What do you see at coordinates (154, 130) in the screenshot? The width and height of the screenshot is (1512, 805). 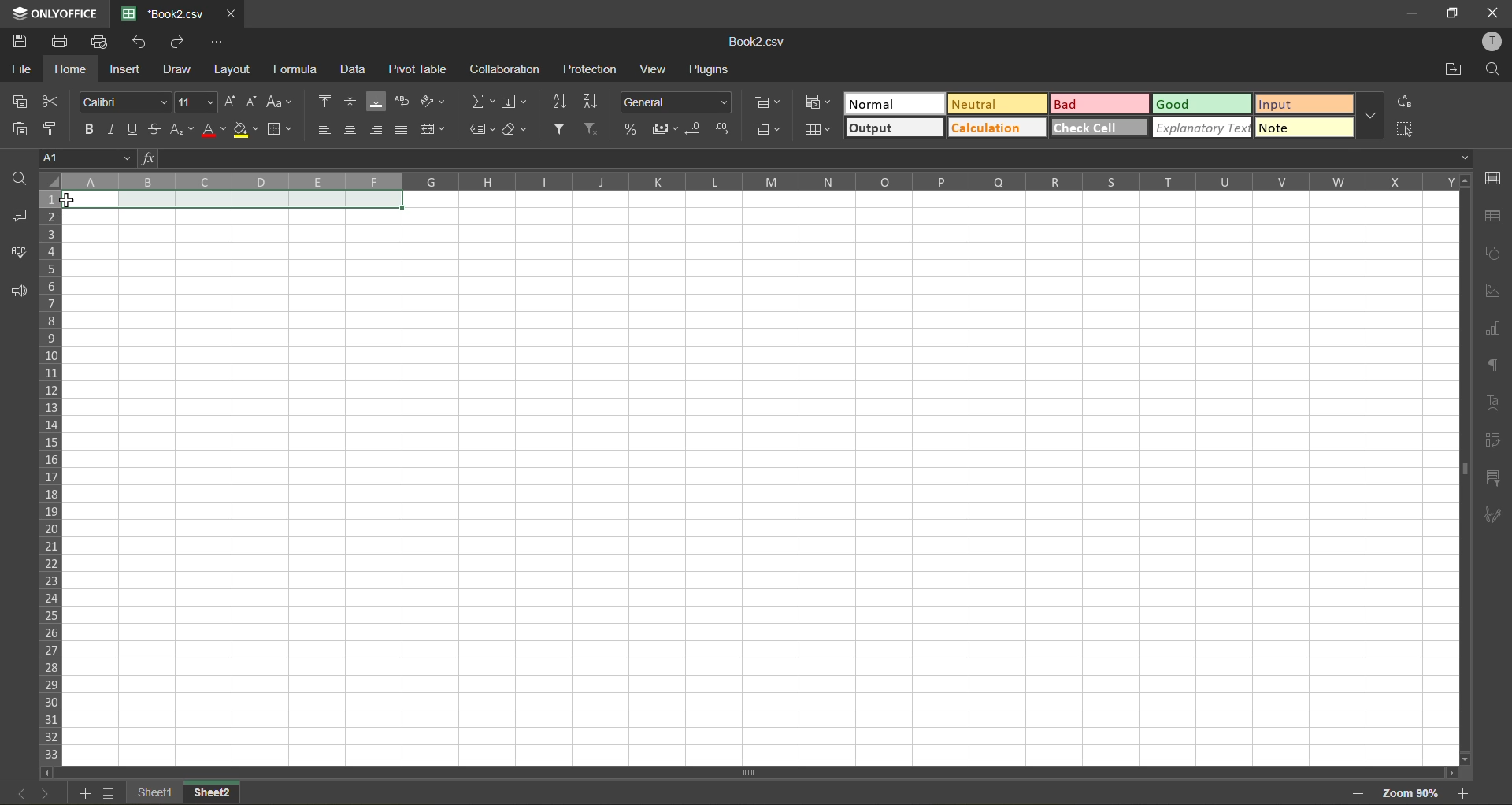 I see `strikethrough` at bounding box center [154, 130].